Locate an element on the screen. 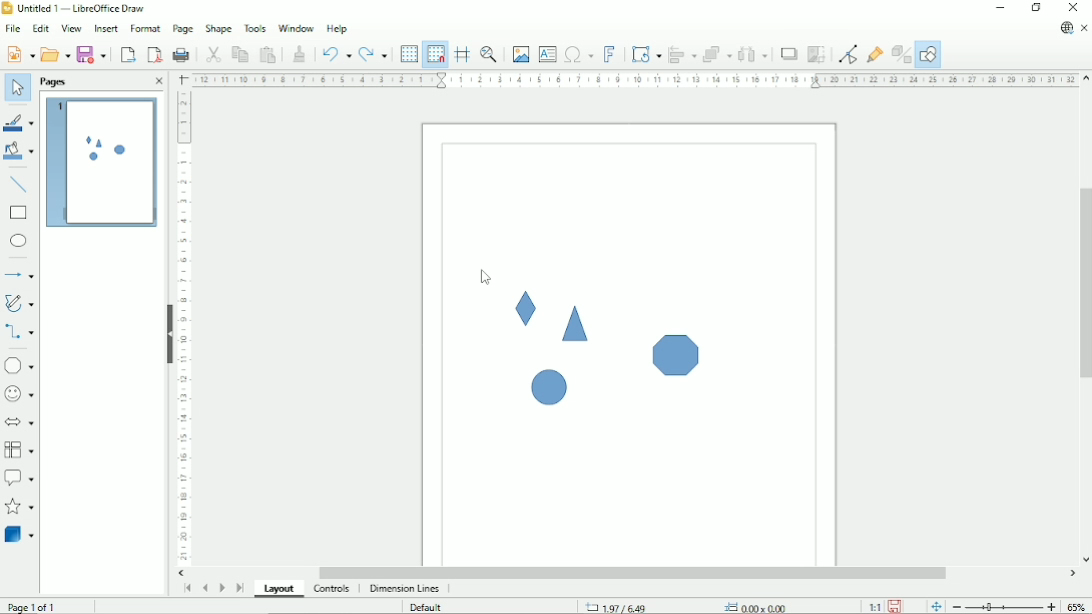 The height and width of the screenshot is (614, 1092). Snap to grid is located at coordinates (435, 53).